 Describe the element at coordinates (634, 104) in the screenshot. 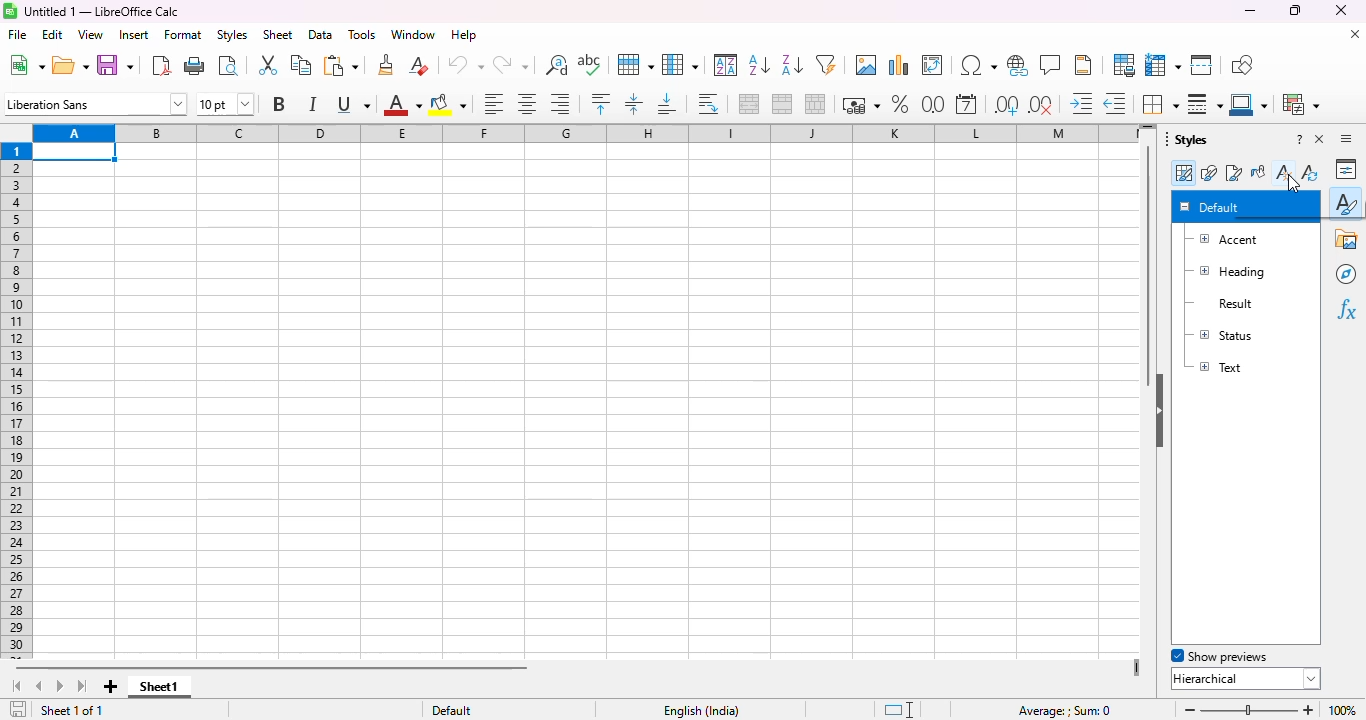

I see `center vertically` at that location.